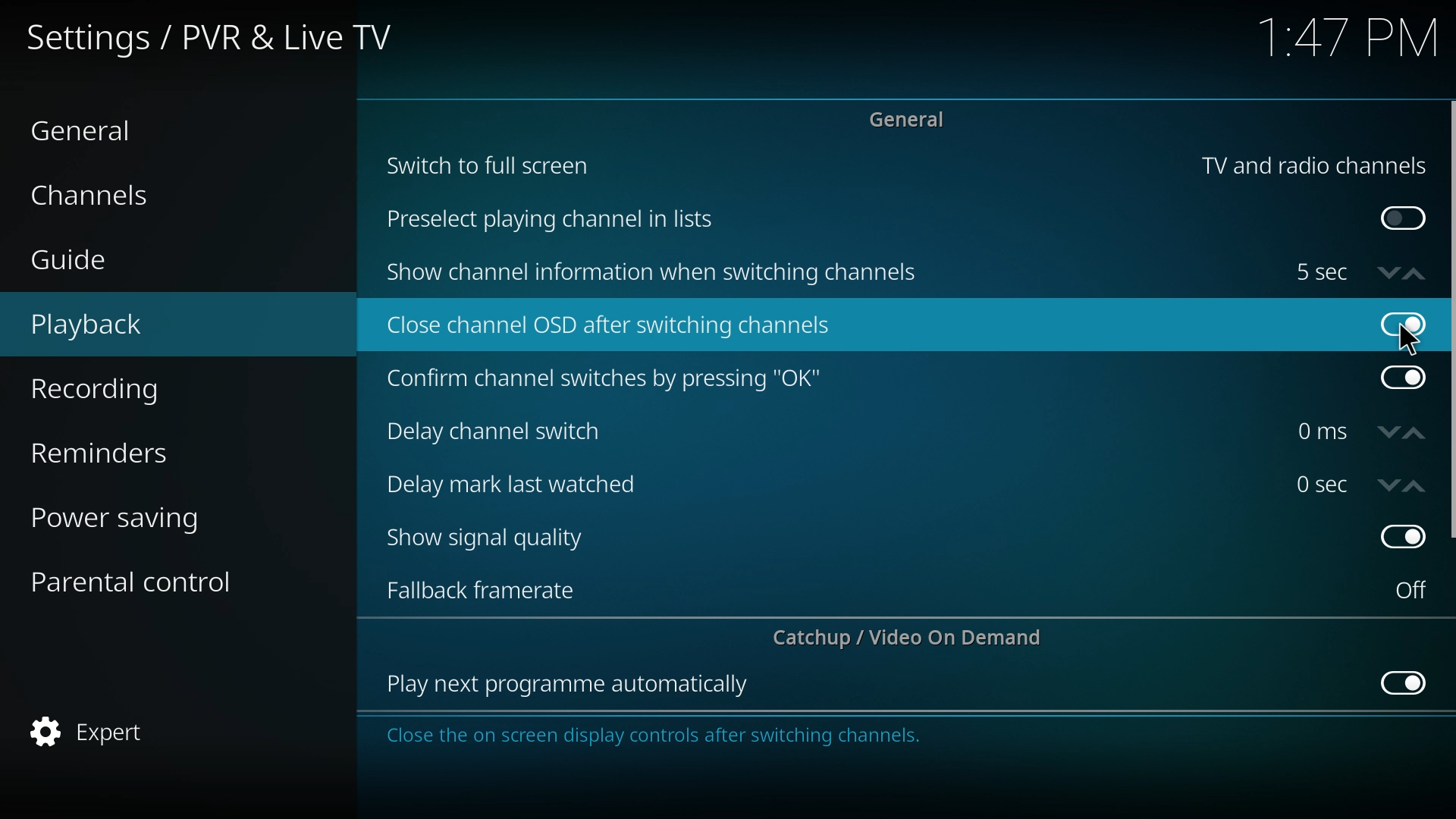 The image size is (1456, 819). What do you see at coordinates (1321, 272) in the screenshot?
I see `time` at bounding box center [1321, 272].